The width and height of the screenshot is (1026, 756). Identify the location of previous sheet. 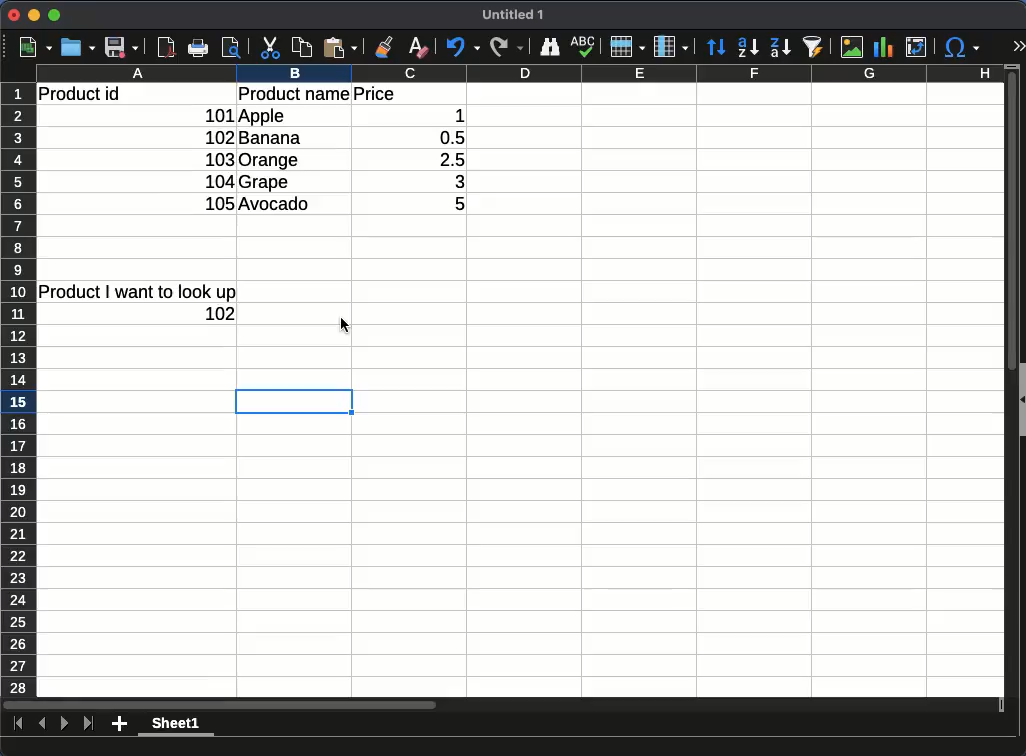
(42, 724).